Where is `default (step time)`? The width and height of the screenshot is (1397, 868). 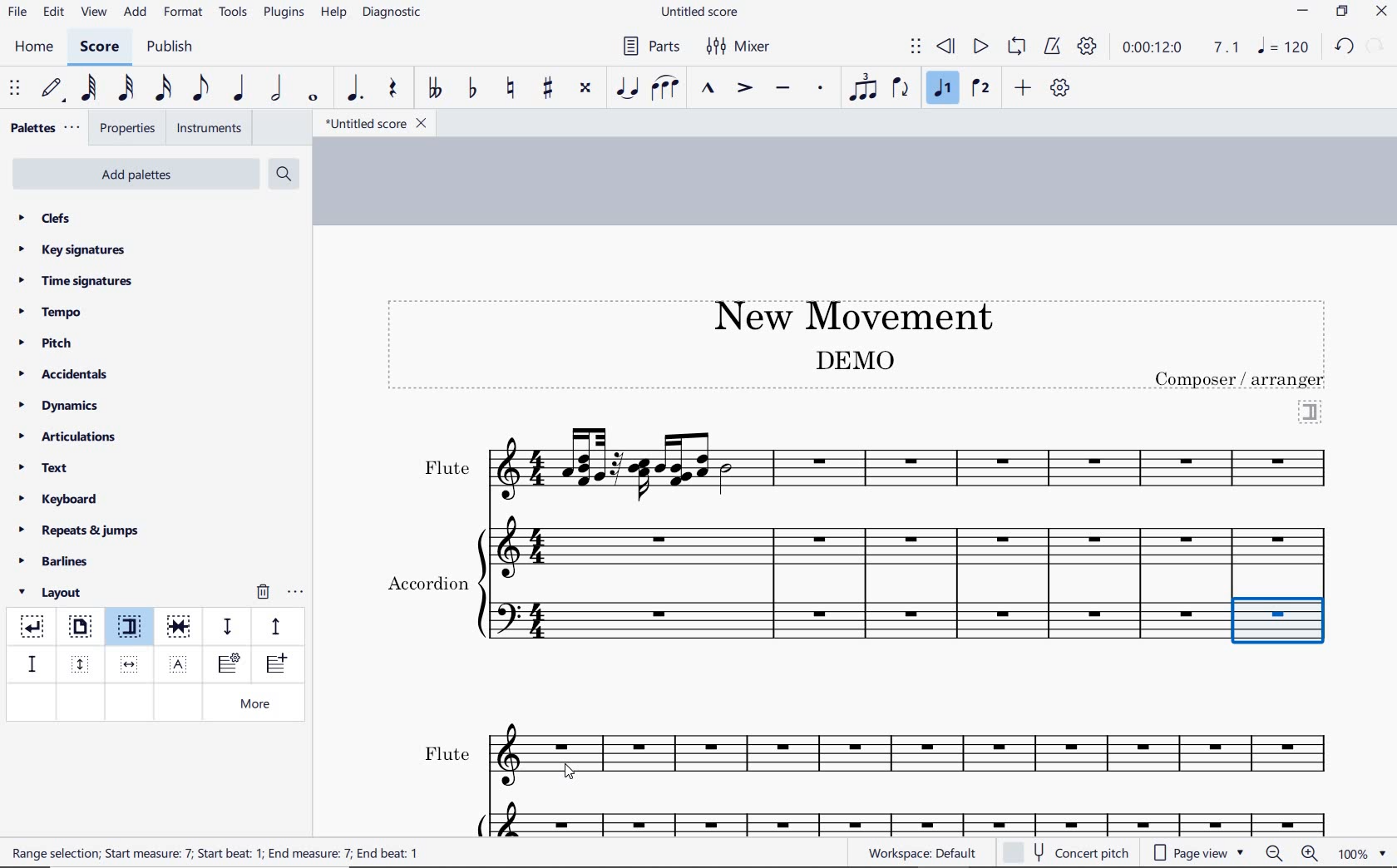 default (step time) is located at coordinates (53, 89).